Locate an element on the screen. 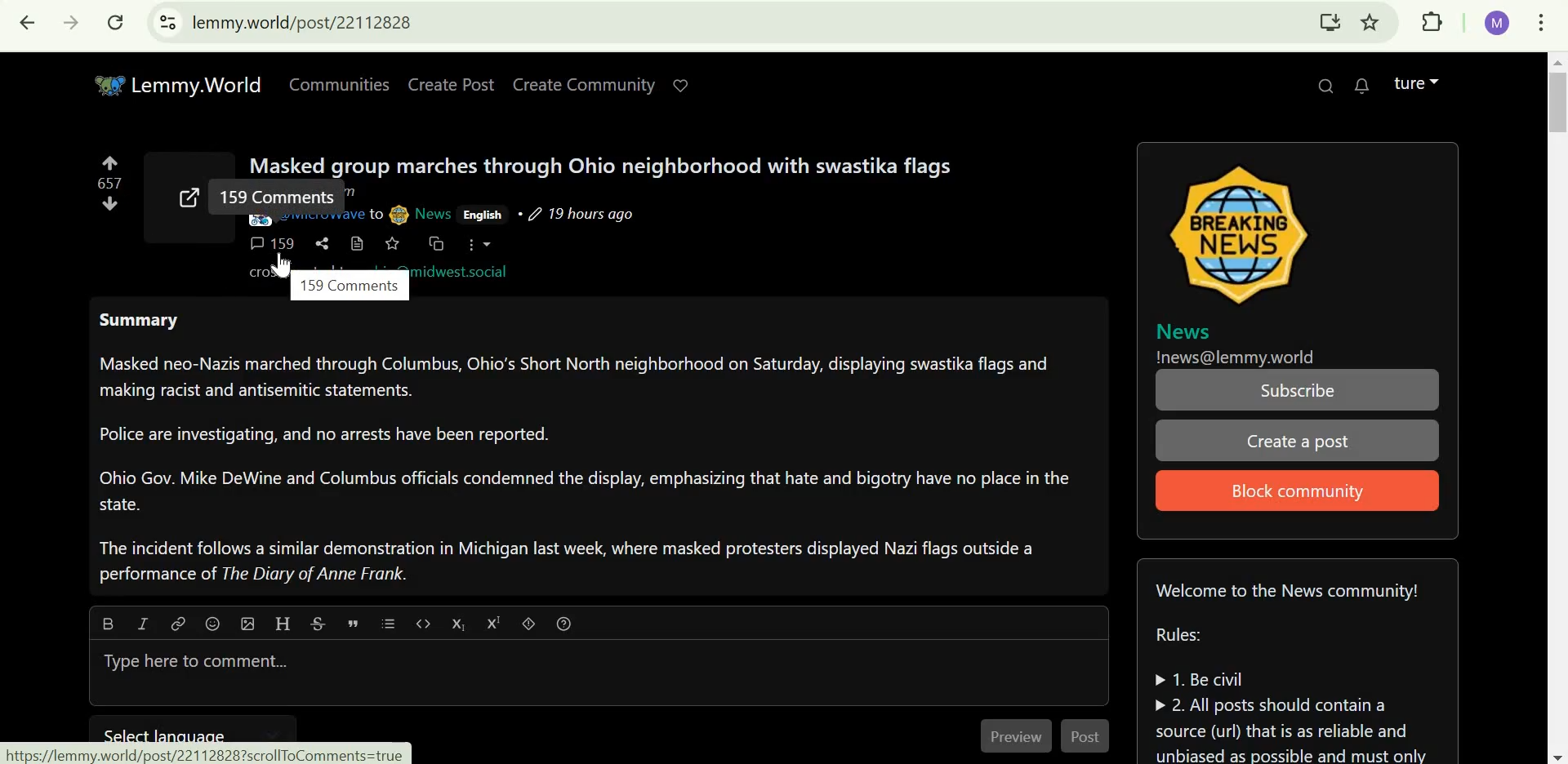  English is located at coordinates (483, 214).